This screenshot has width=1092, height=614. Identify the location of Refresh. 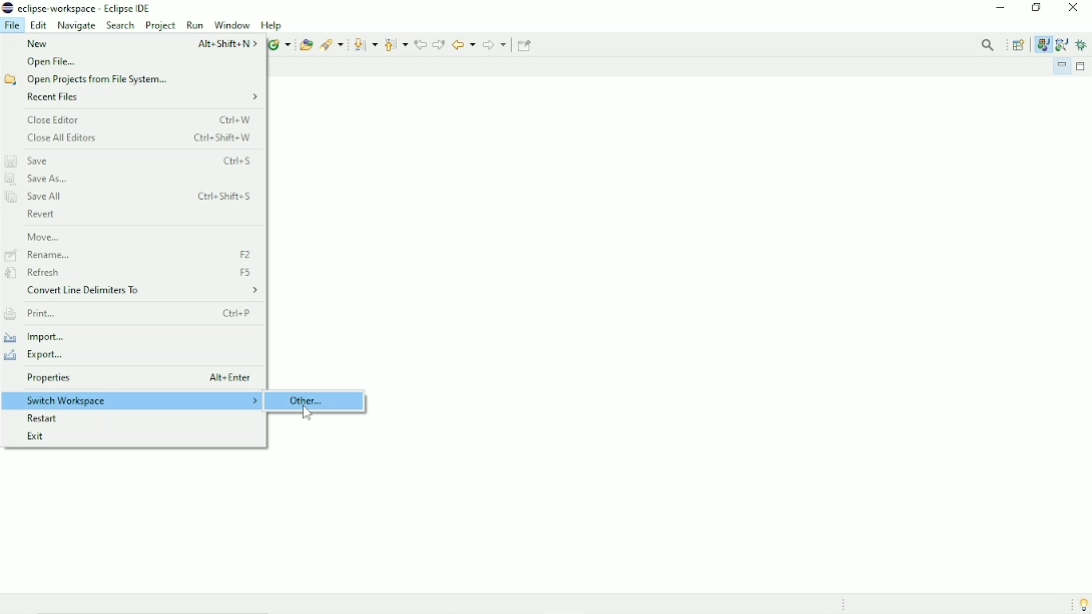
(134, 273).